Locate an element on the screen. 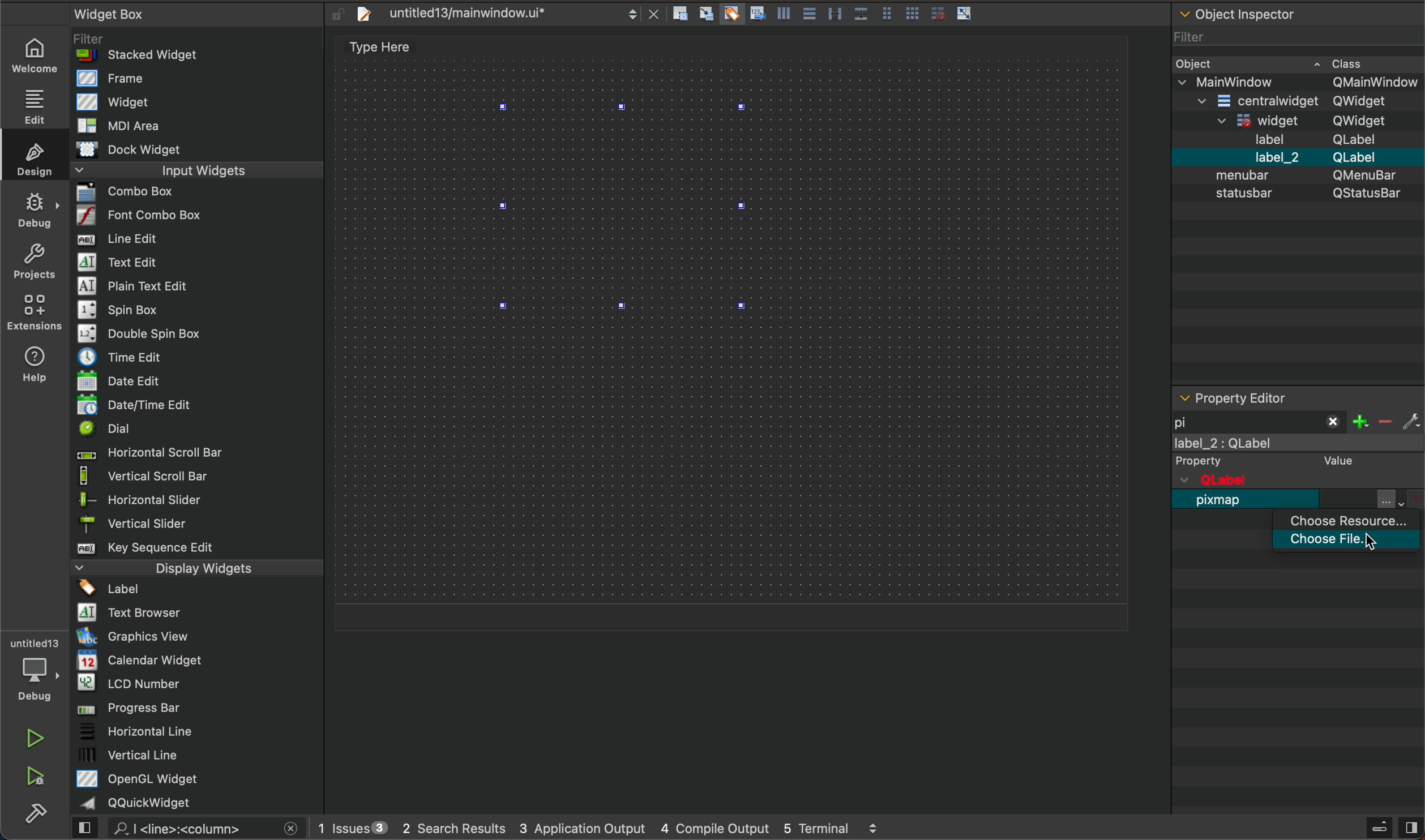  label widget is located at coordinates (626, 207).